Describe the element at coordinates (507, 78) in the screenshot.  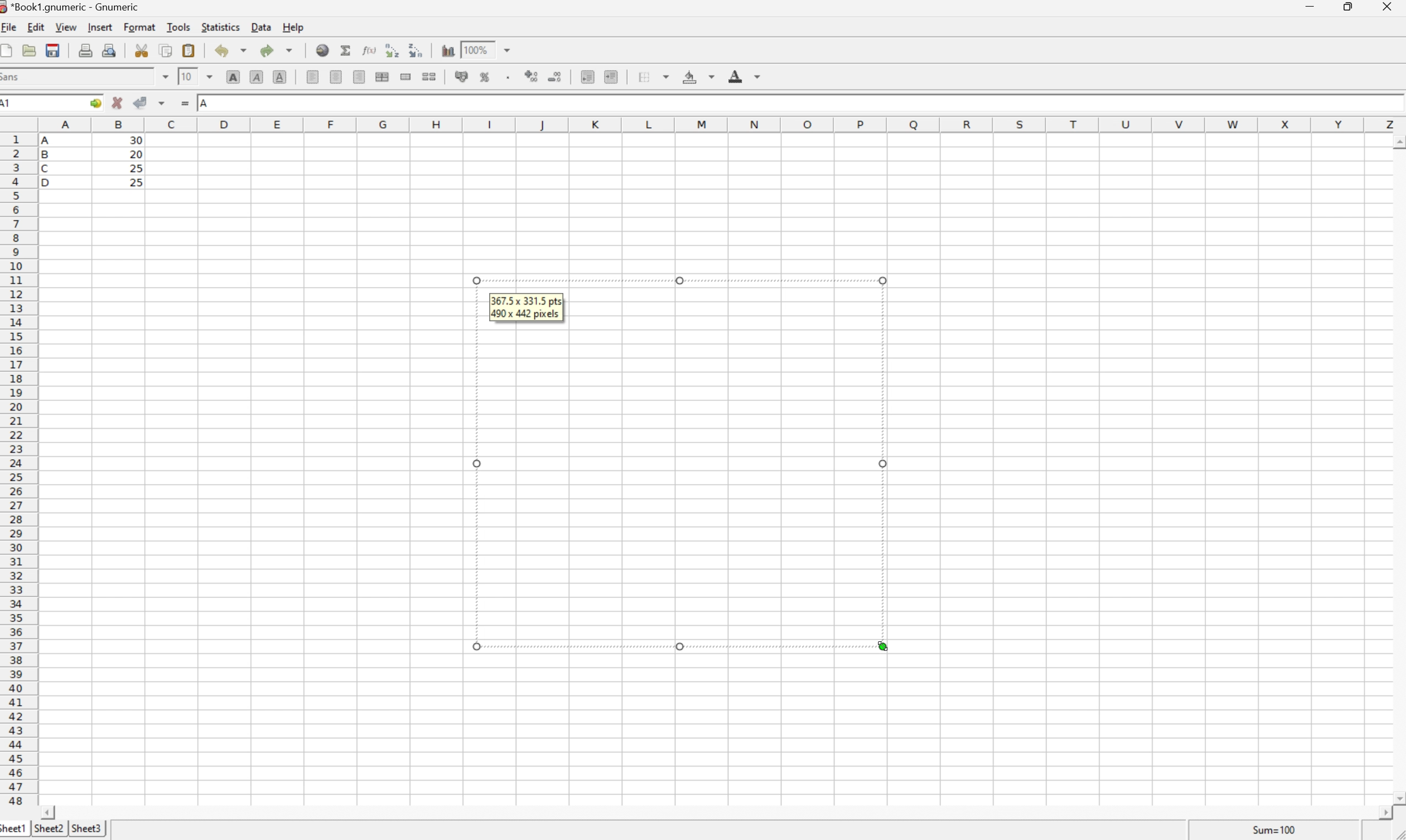
I see `Set the format of the selected cells to include a thousands separator` at that location.